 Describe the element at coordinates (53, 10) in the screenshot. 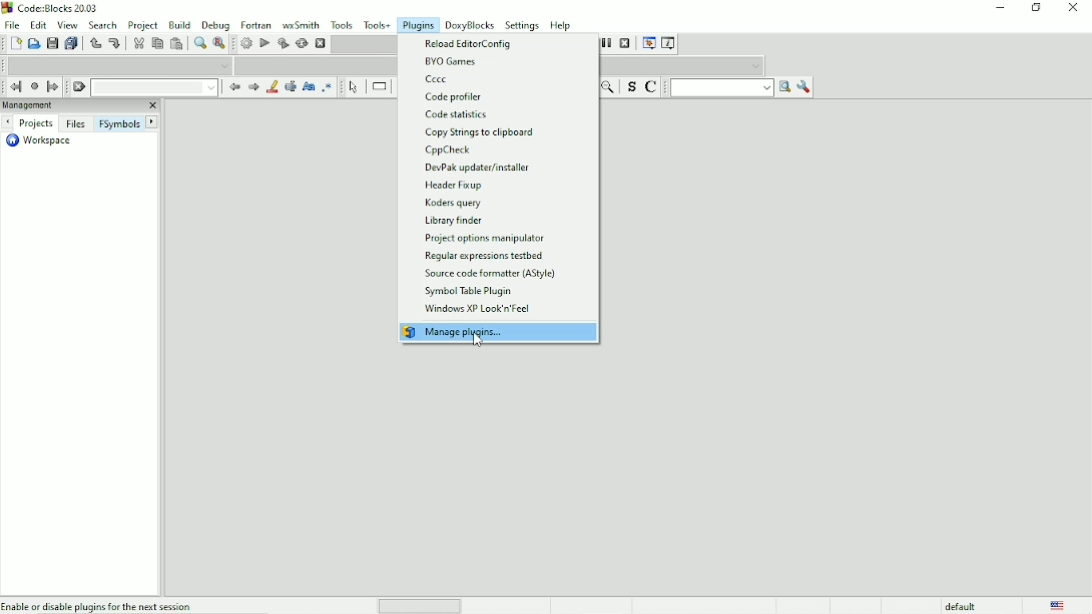

I see `Title` at that location.